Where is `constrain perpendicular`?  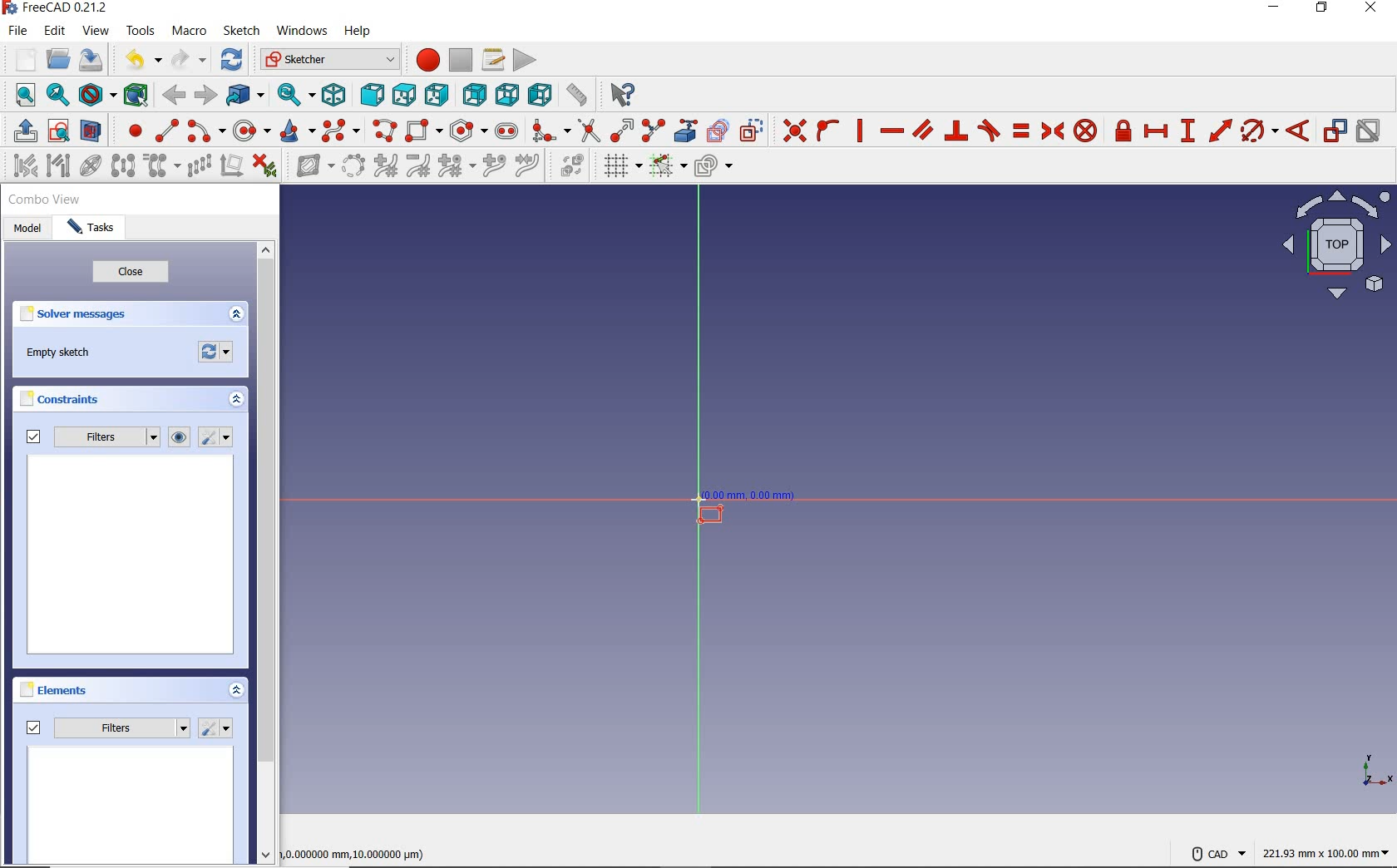
constrain perpendicular is located at coordinates (956, 131).